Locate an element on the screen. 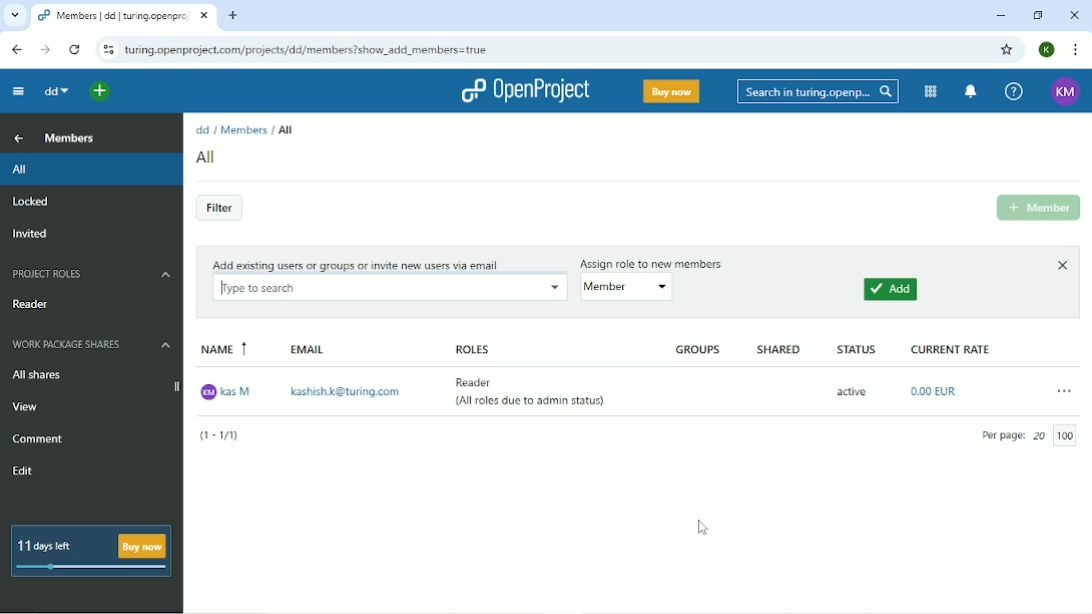 This screenshot has width=1092, height=614. Site is located at coordinates (306, 50).